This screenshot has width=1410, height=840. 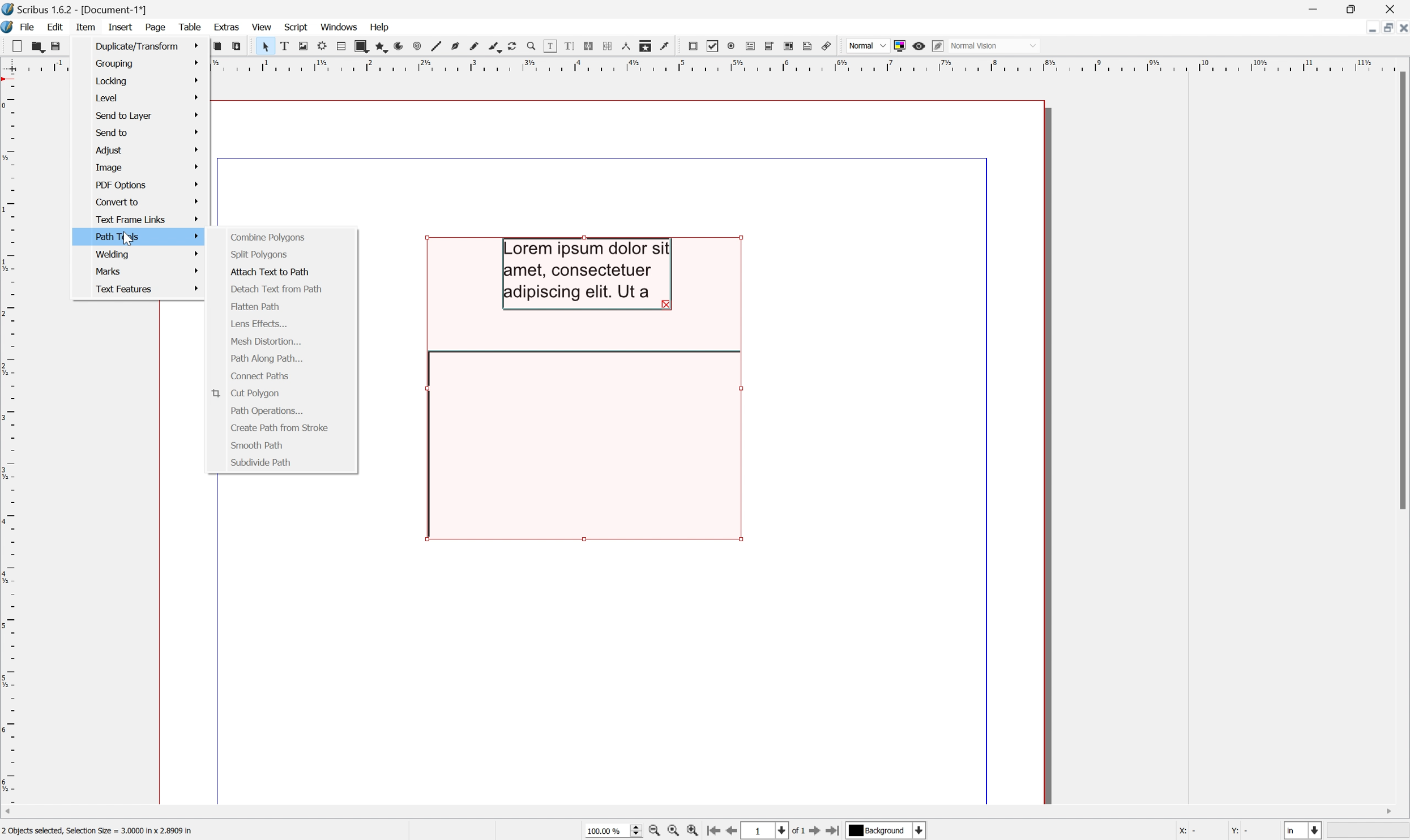 What do you see at coordinates (939, 45) in the screenshot?
I see `Edit in preview mode` at bounding box center [939, 45].